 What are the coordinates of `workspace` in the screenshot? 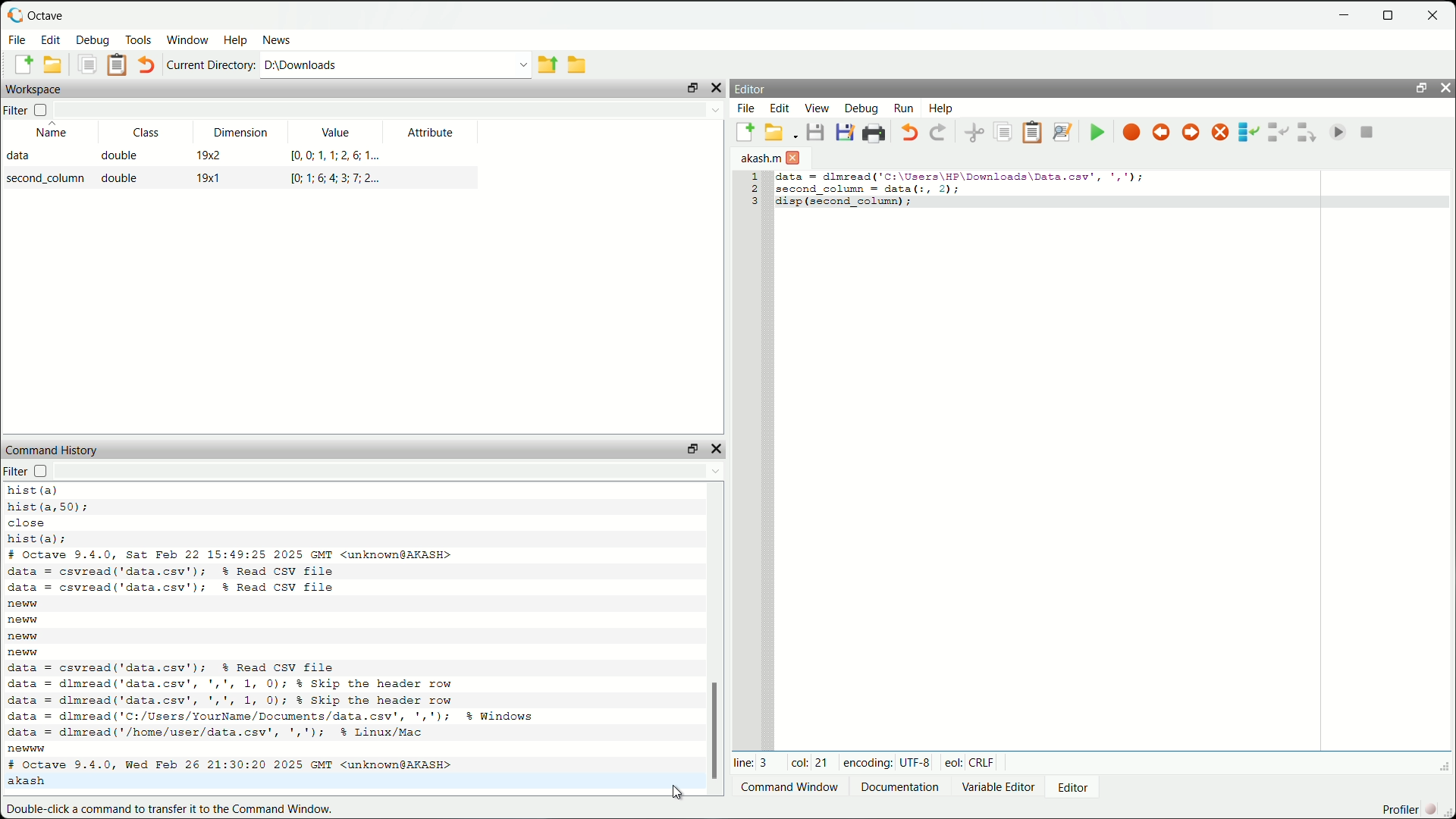 It's located at (33, 91).